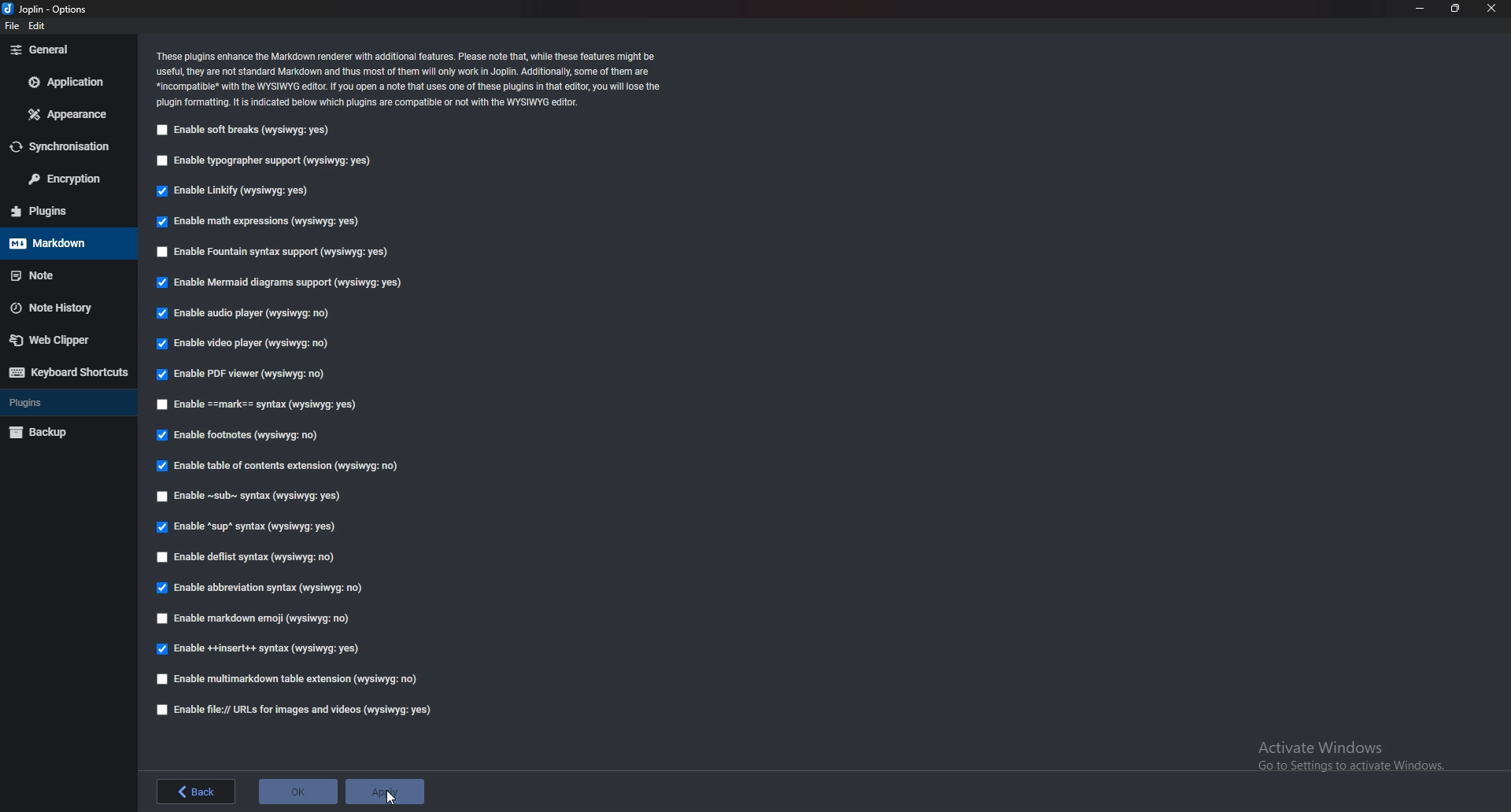 The width and height of the screenshot is (1511, 812). I want to click on ok, so click(298, 789).